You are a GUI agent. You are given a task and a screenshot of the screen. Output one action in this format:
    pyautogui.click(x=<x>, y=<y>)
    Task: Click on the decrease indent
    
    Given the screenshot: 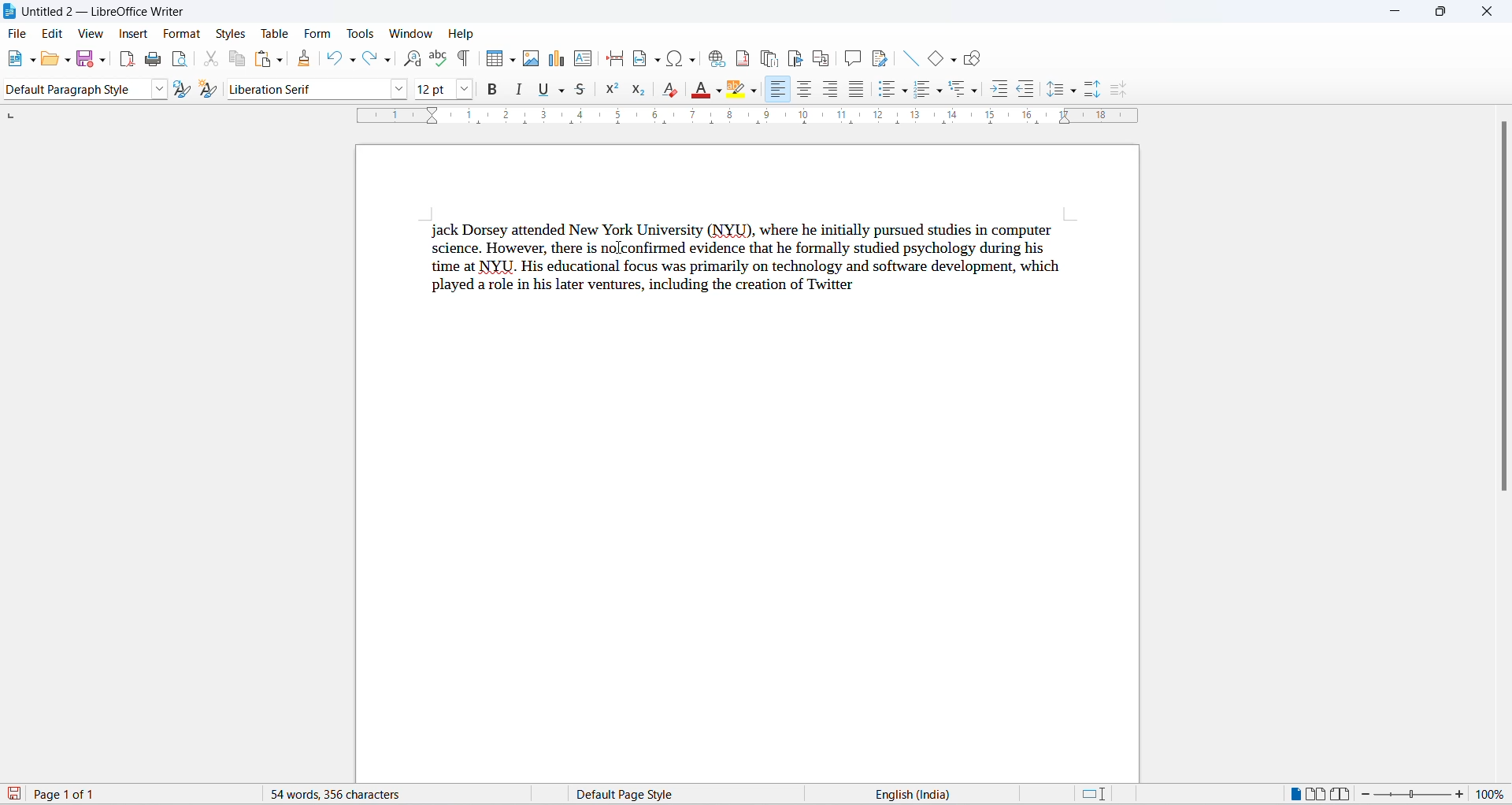 What is the action you would take?
    pyautogui.click(x=1027, y=91)
    